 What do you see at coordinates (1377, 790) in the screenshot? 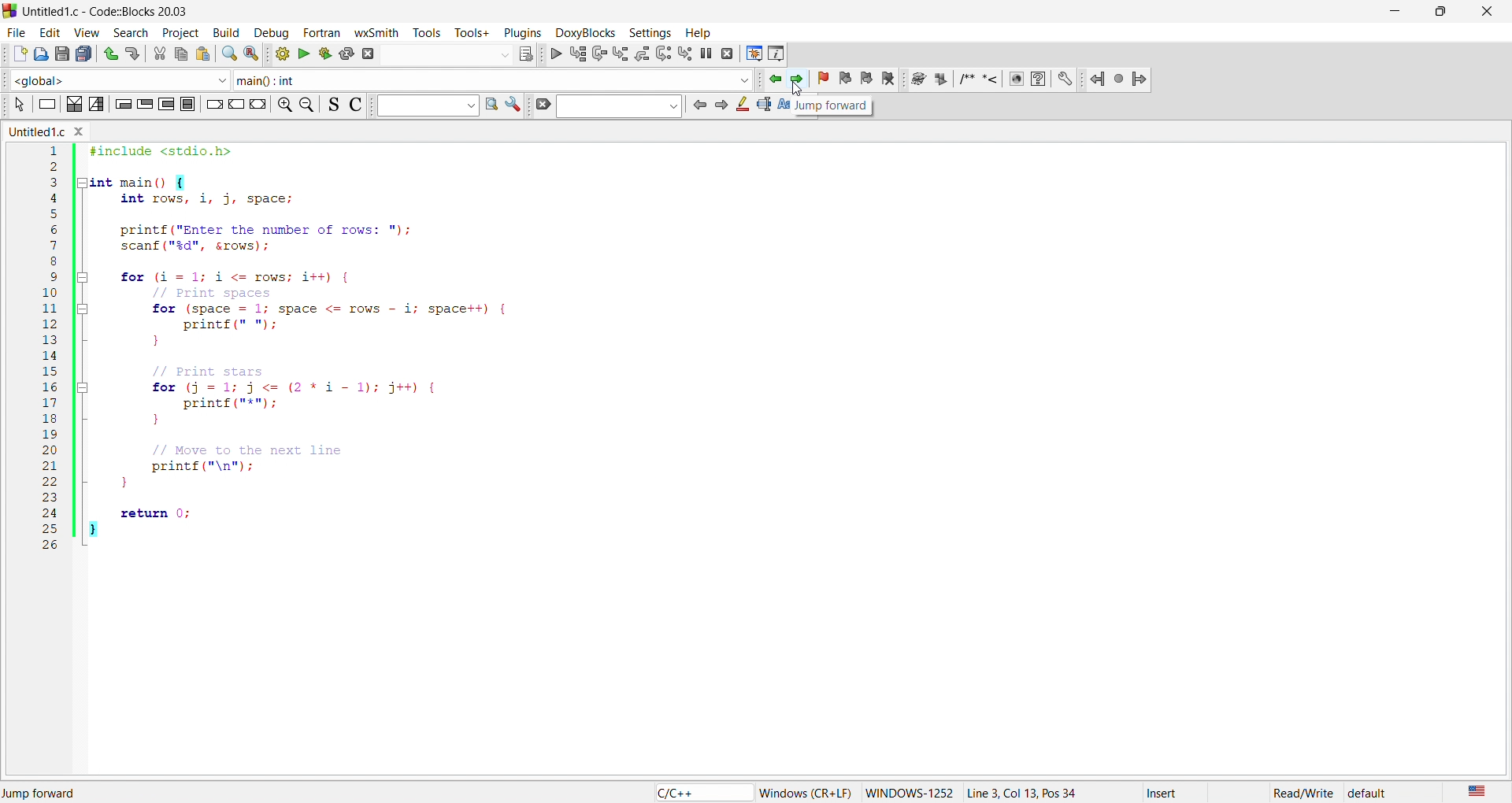
I see `default` at bounding box center [1377, 790].